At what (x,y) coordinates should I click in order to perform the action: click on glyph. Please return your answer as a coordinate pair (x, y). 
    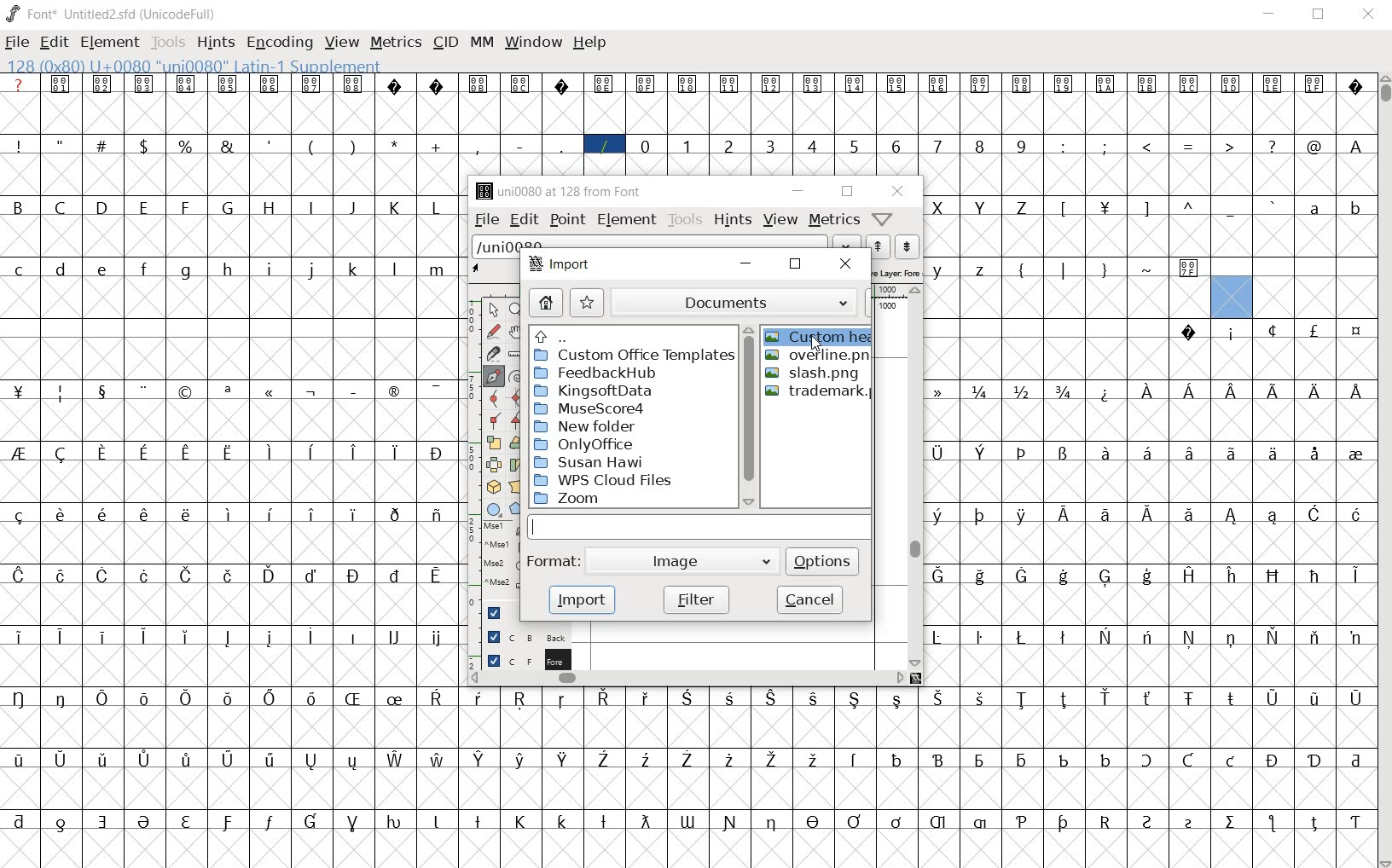
    Looking at the image, I should click on (1064, 576).